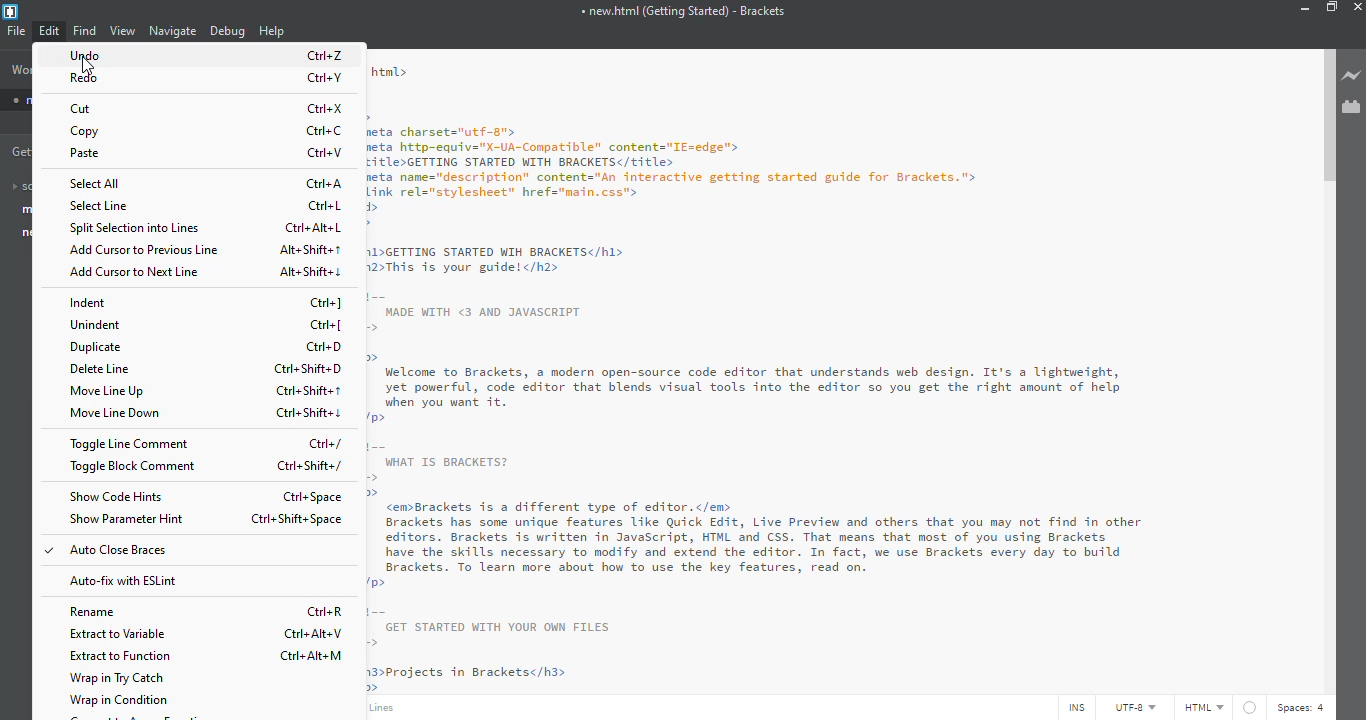 This screenshot has width=1366, height=720. I want to click on toggle block, so click(135, 468).